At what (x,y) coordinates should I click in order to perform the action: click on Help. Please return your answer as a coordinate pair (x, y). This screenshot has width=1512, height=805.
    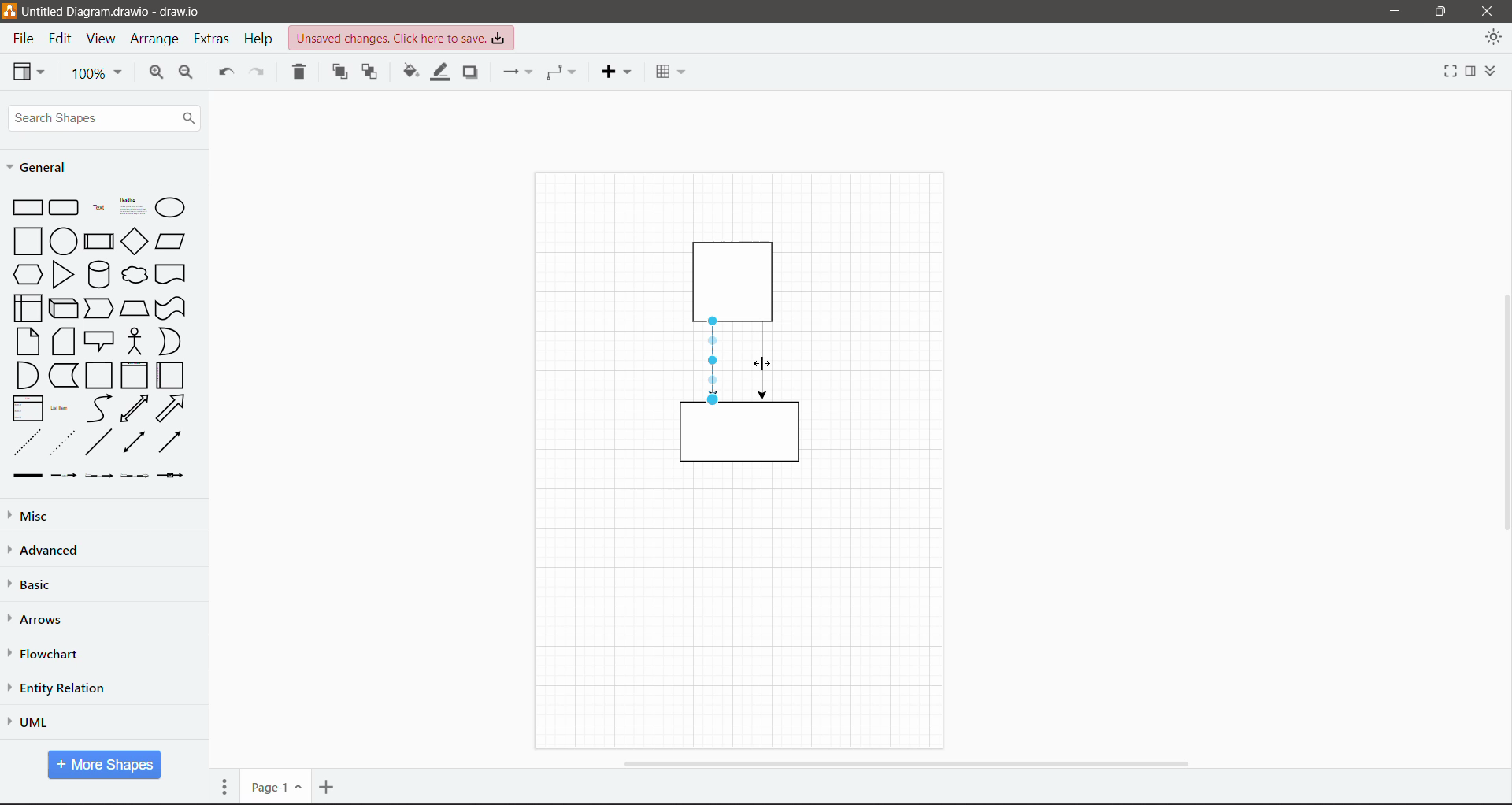
    Looking at the image, I should click on (261, 39).